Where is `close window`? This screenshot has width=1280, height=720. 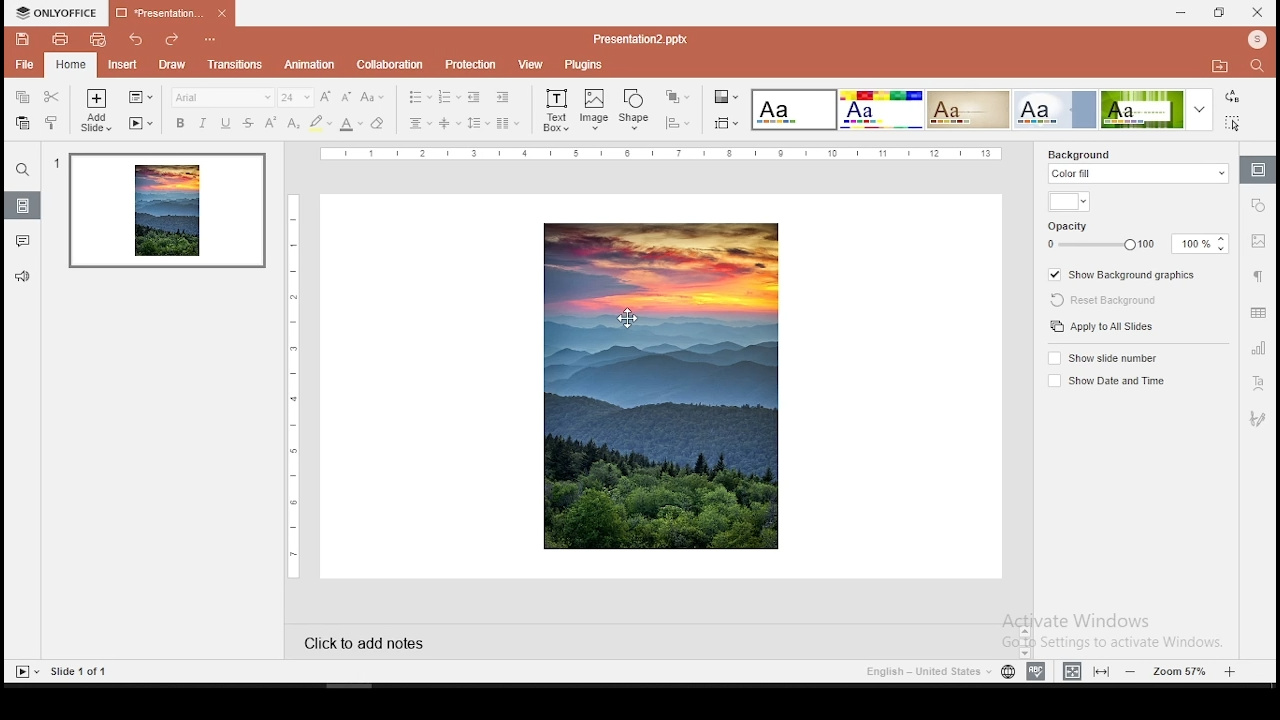
close window is located at coordinates (1256, 13).